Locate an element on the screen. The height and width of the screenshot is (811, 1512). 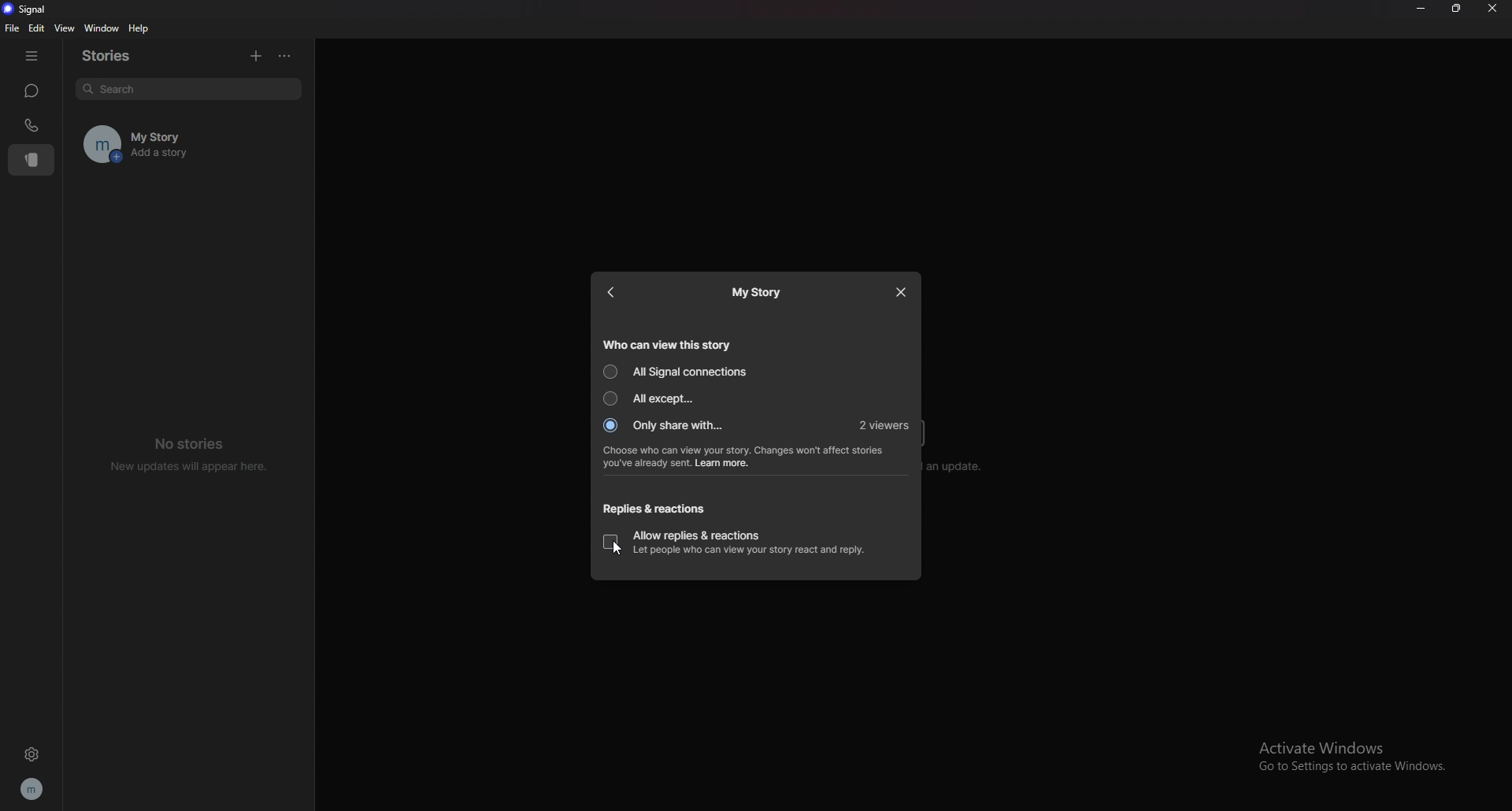
my story is located at coordinates (759, 292).